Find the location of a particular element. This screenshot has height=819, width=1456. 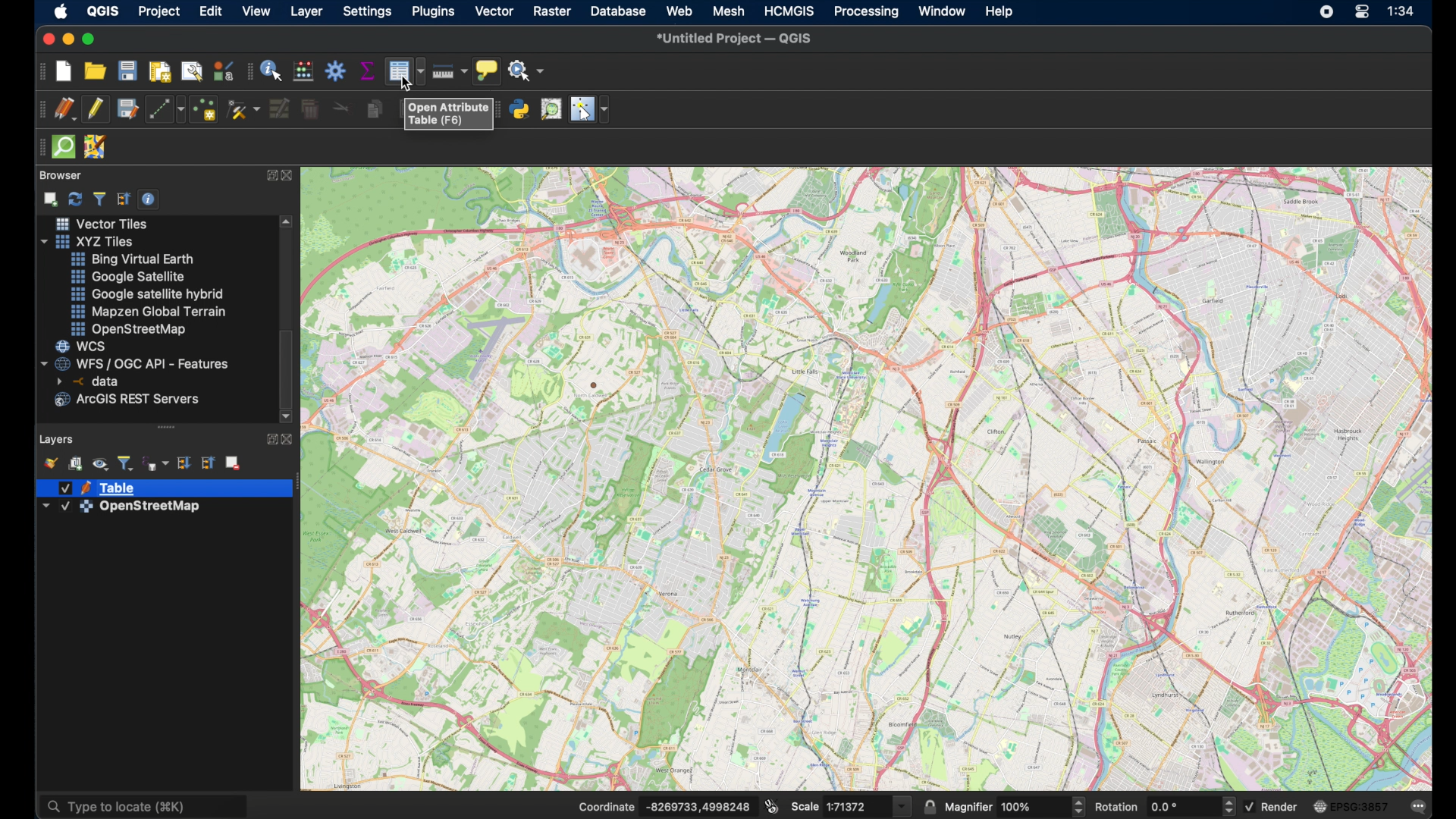

add group is located at coordinates (76, 463).